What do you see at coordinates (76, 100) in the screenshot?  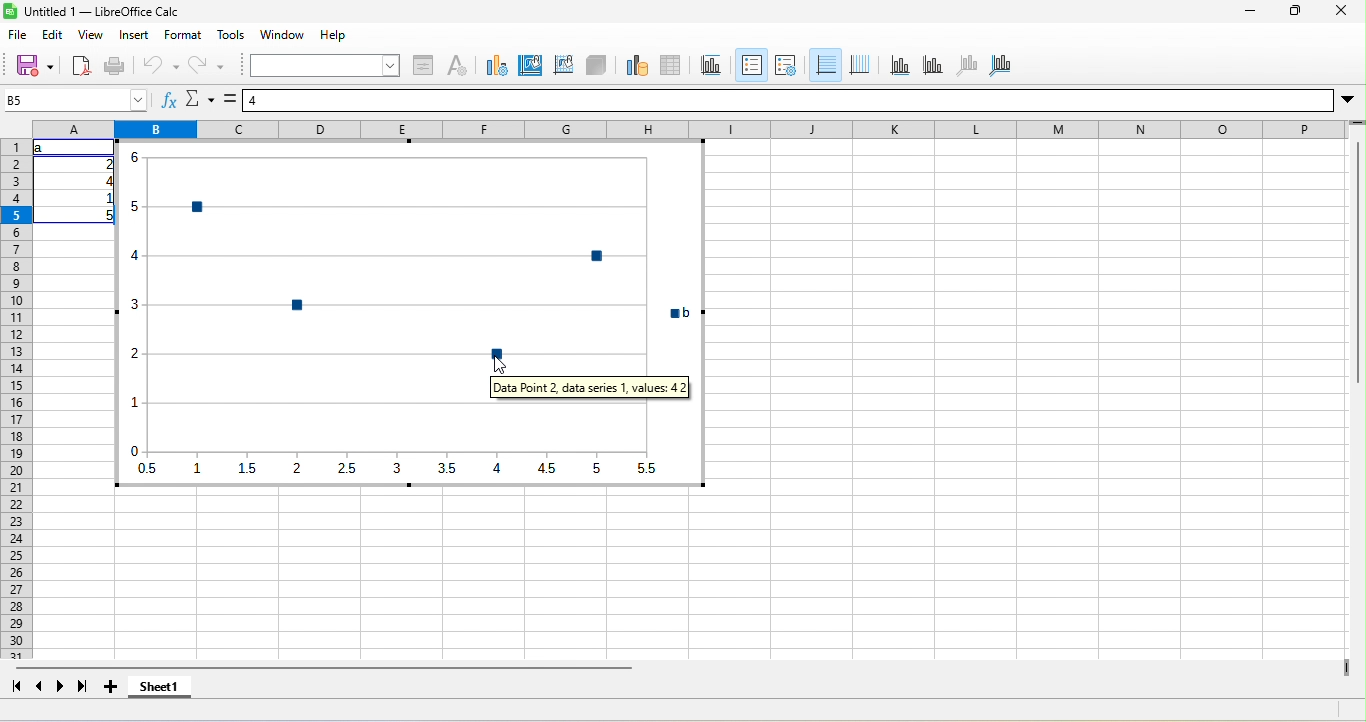 I see `name box` at bounding box center [76, 100].